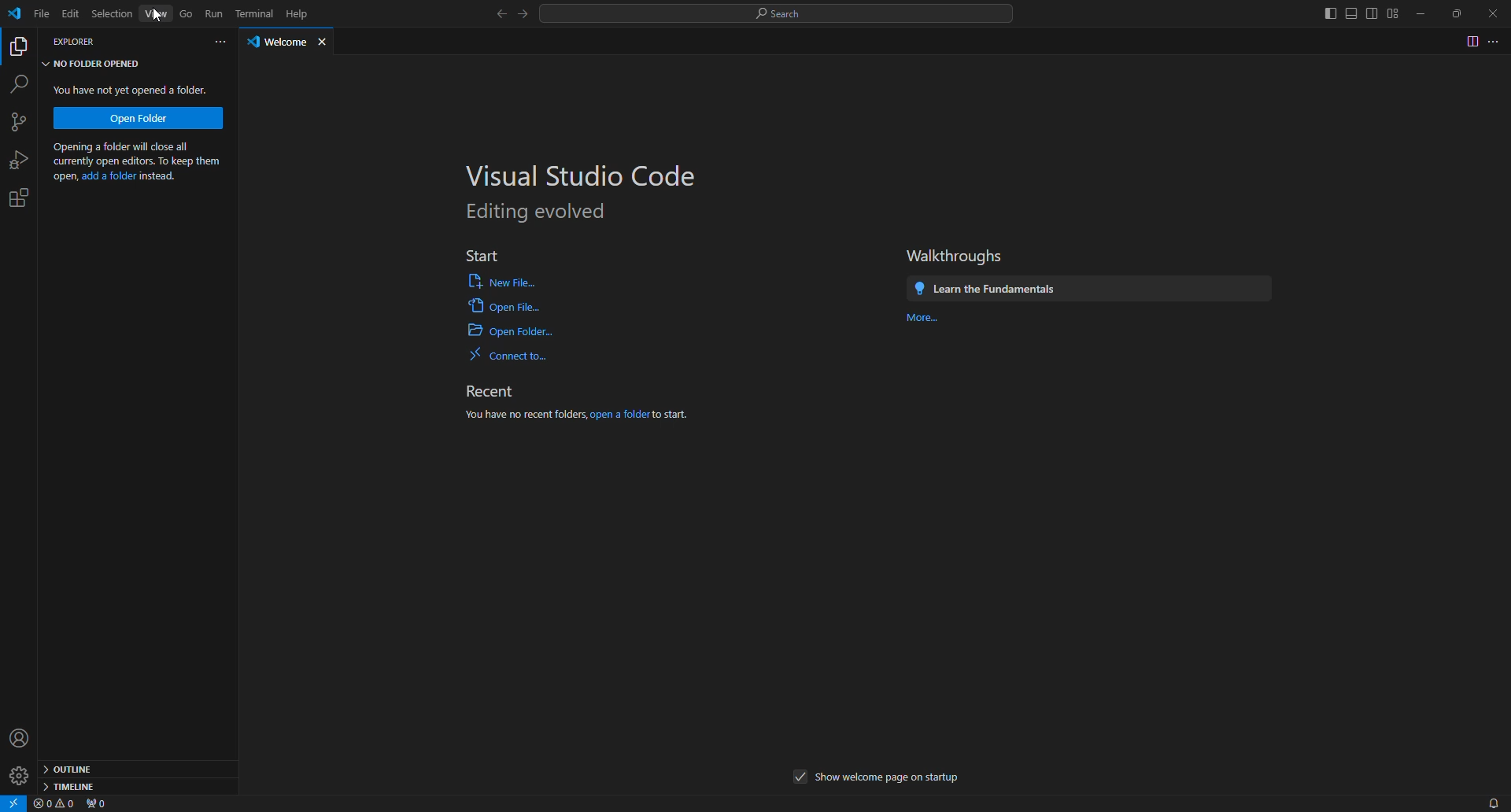  I want to click on Go, so click(186, 15).